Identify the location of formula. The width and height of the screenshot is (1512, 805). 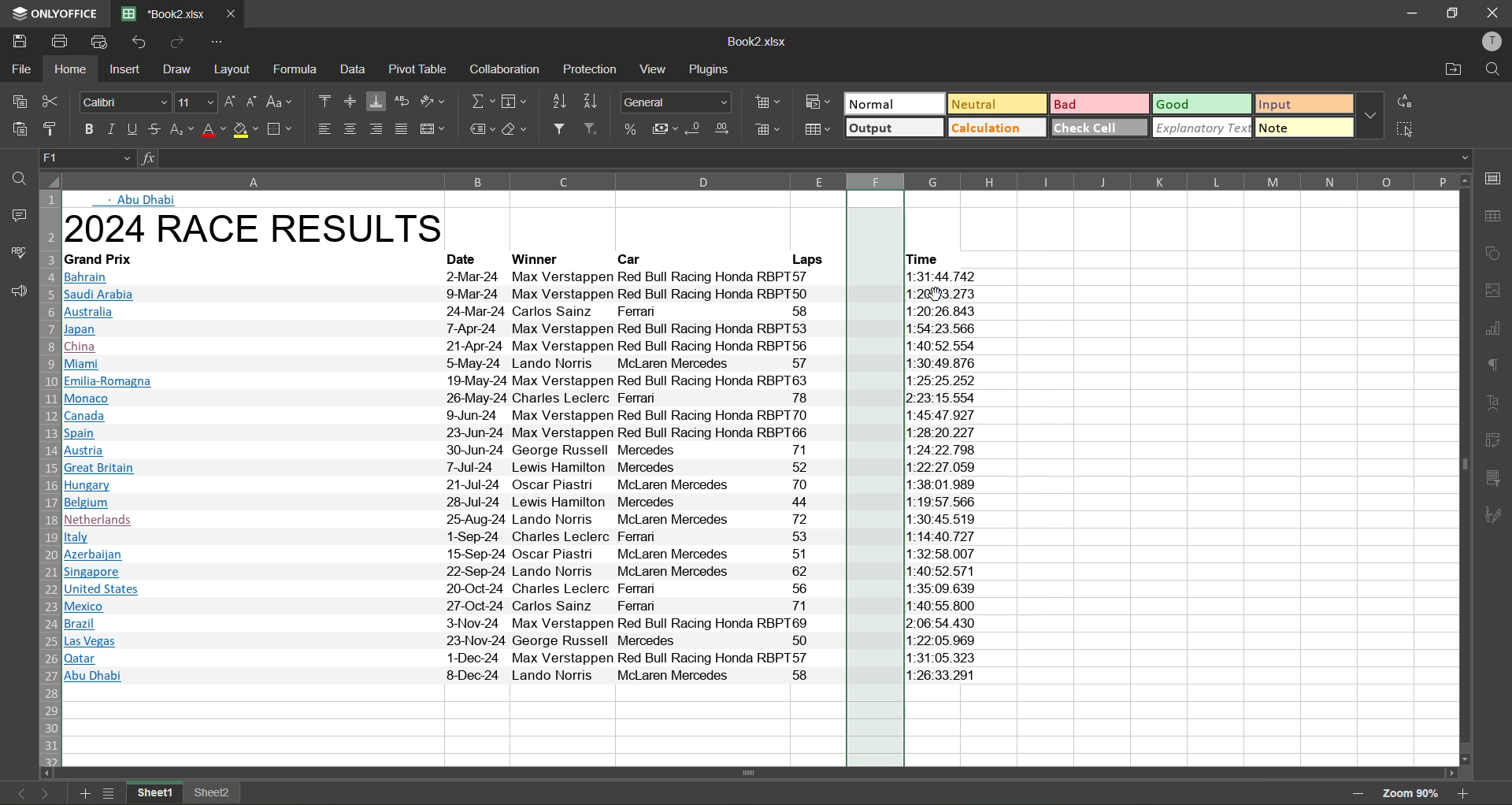
(297, 70).